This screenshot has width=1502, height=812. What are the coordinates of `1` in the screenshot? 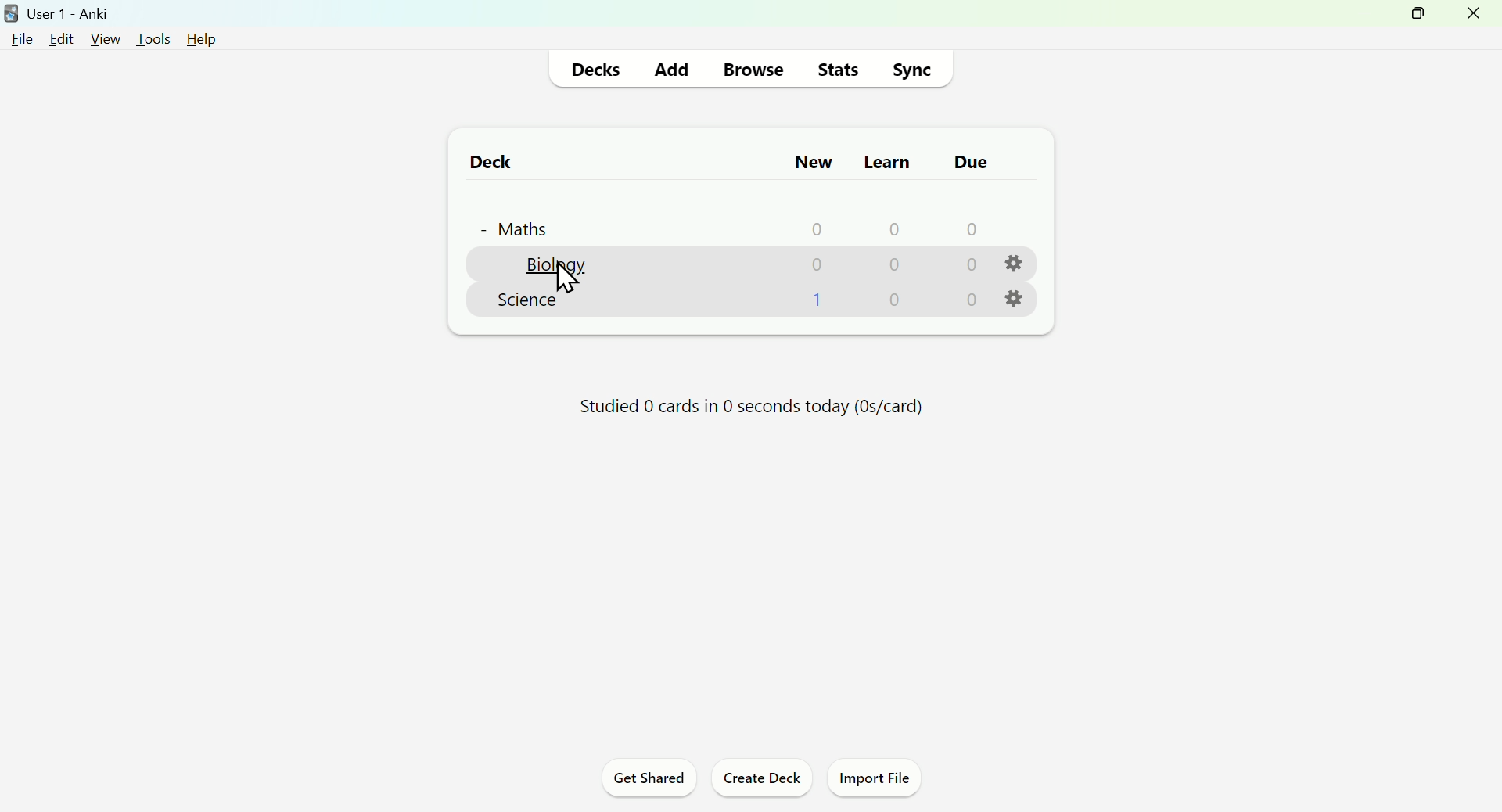 It's located at (817, 304).